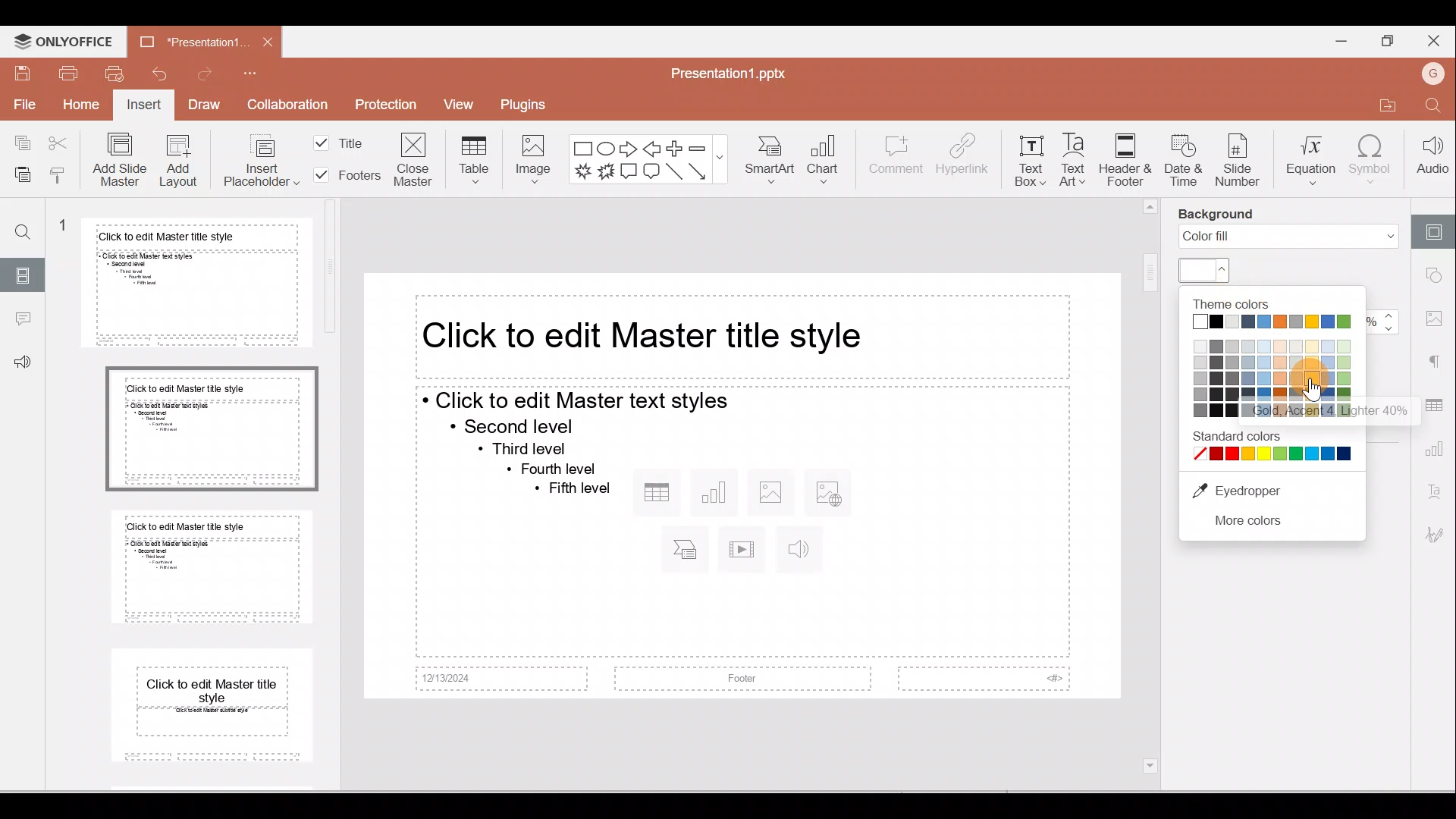  I want to click on Collaboration, so click(292, 106).